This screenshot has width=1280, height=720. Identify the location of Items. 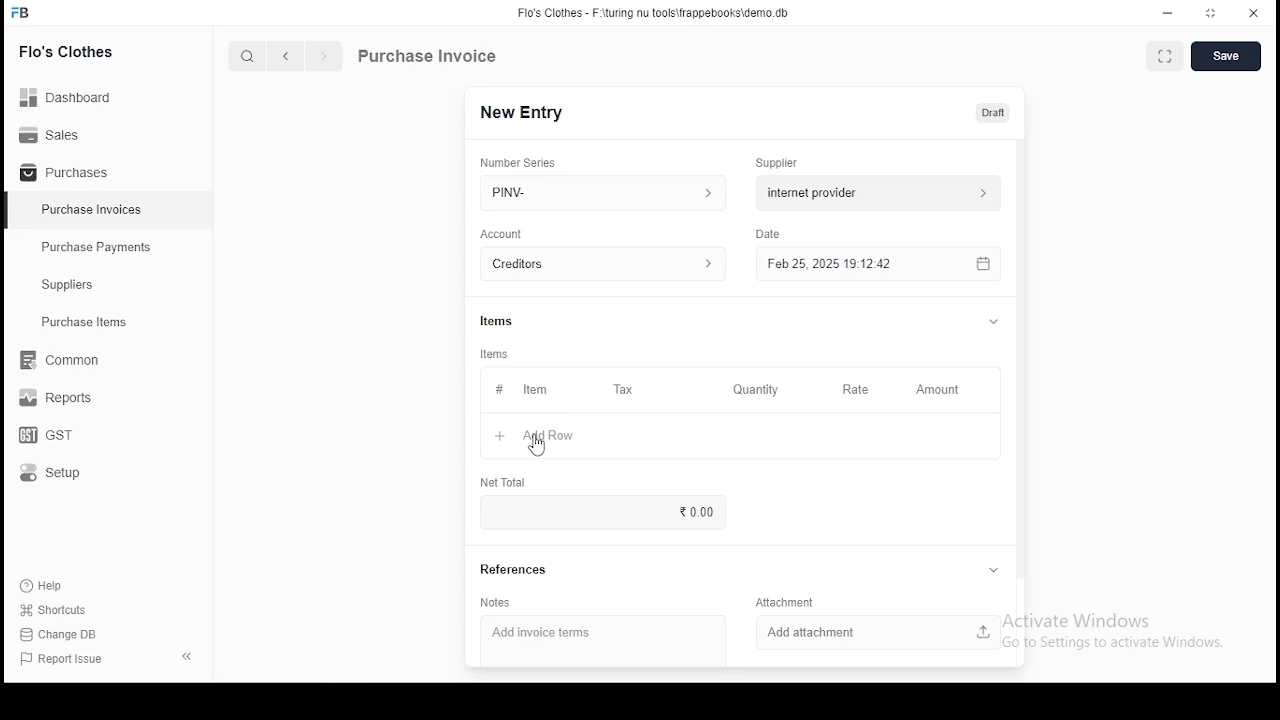
(497, 319).